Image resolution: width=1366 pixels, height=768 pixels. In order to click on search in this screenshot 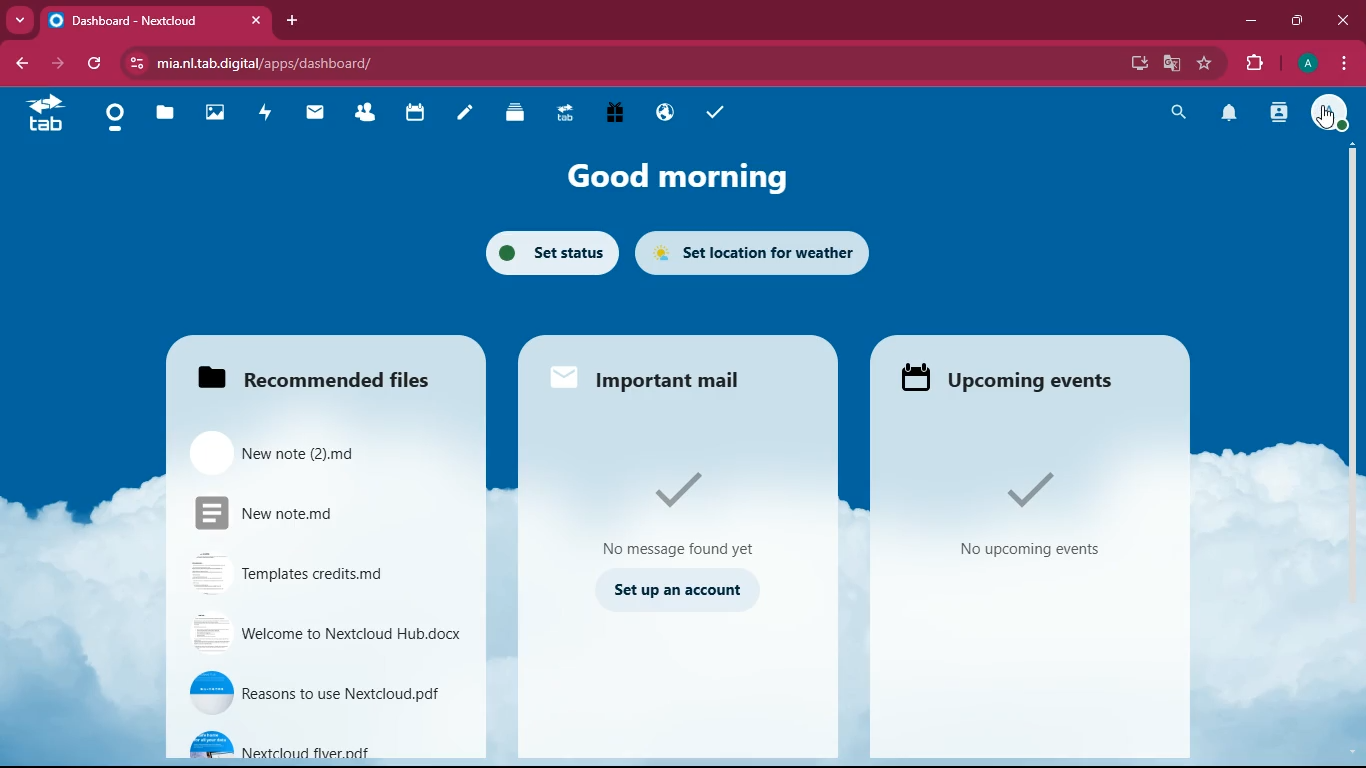, I will do `click(1176, 113)`.